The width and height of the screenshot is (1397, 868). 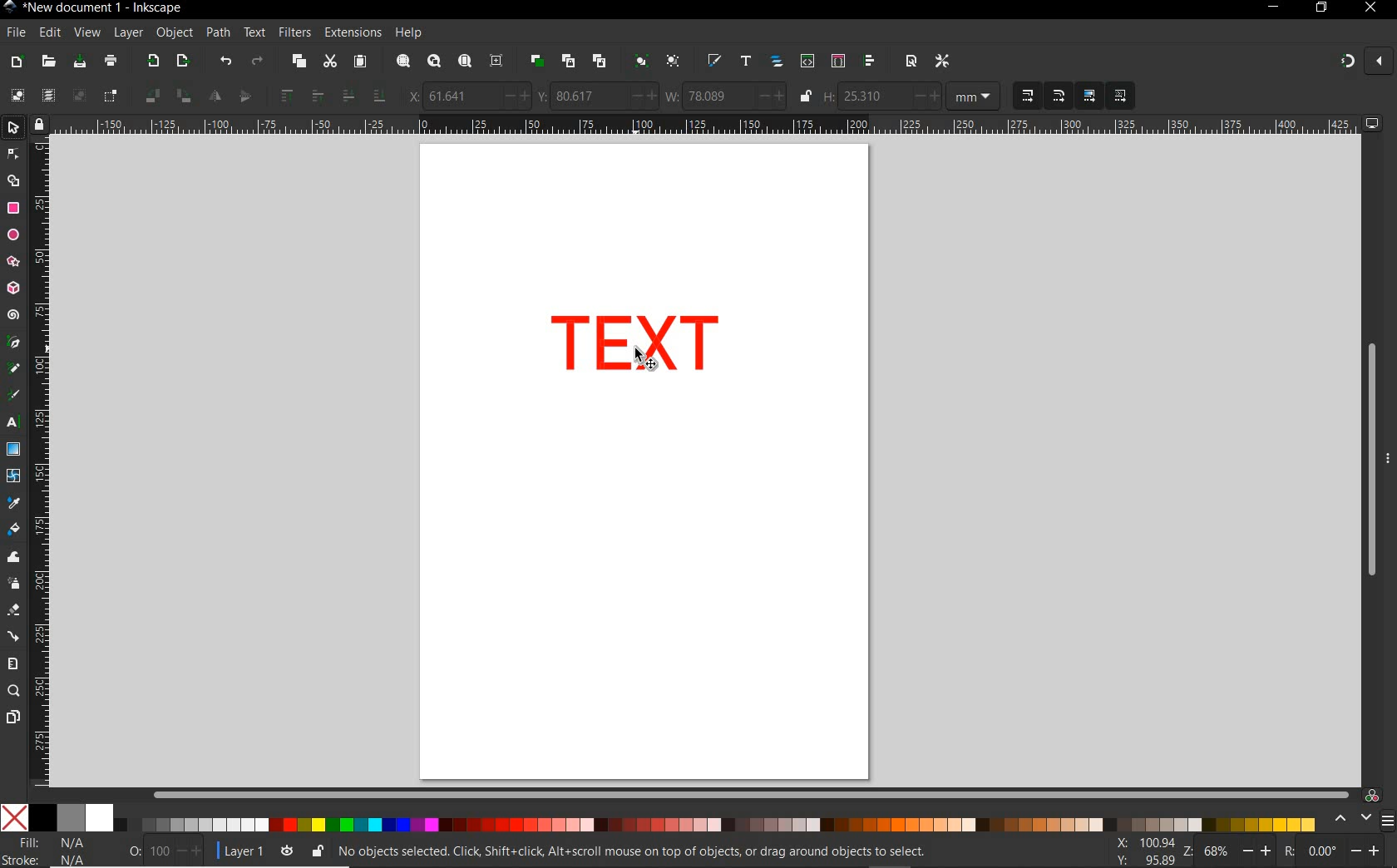 I want to click on extensions, so click(x=352, y=32).